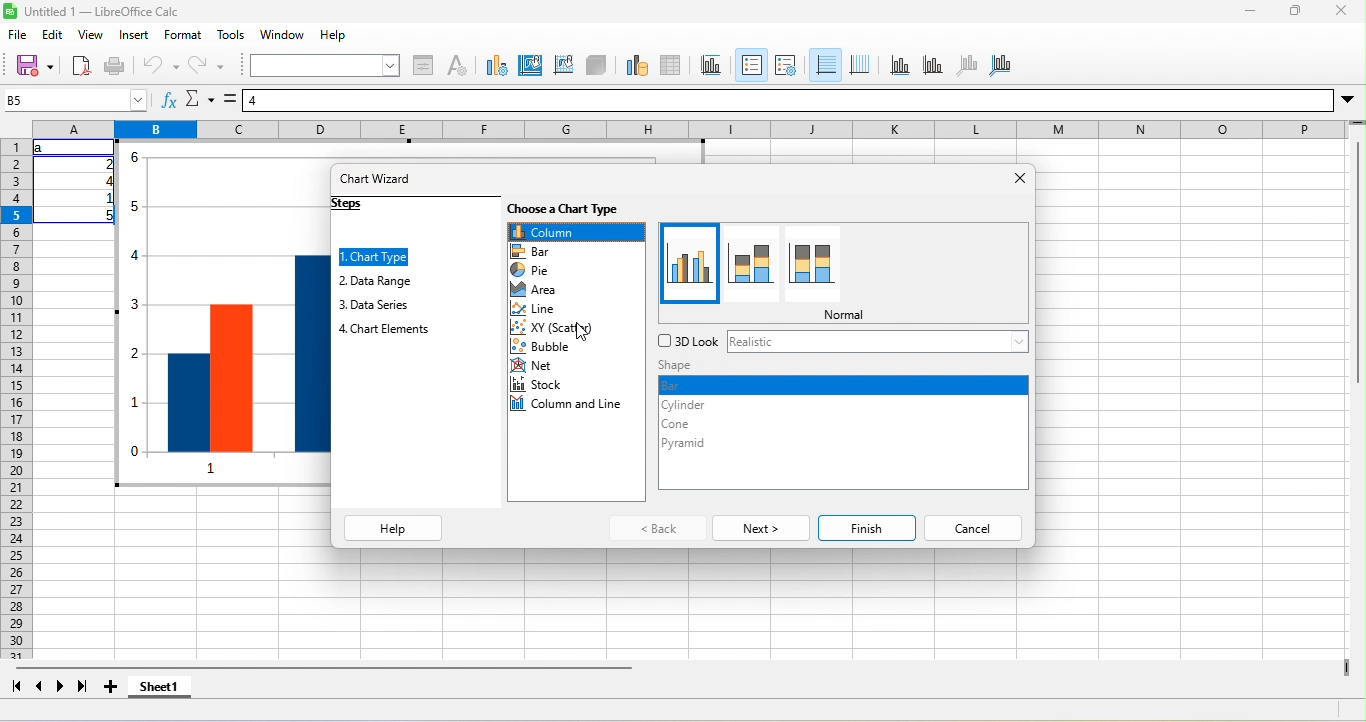 This screenshot has width=1366, height=722. I want to click on name box, so click(76, 100).